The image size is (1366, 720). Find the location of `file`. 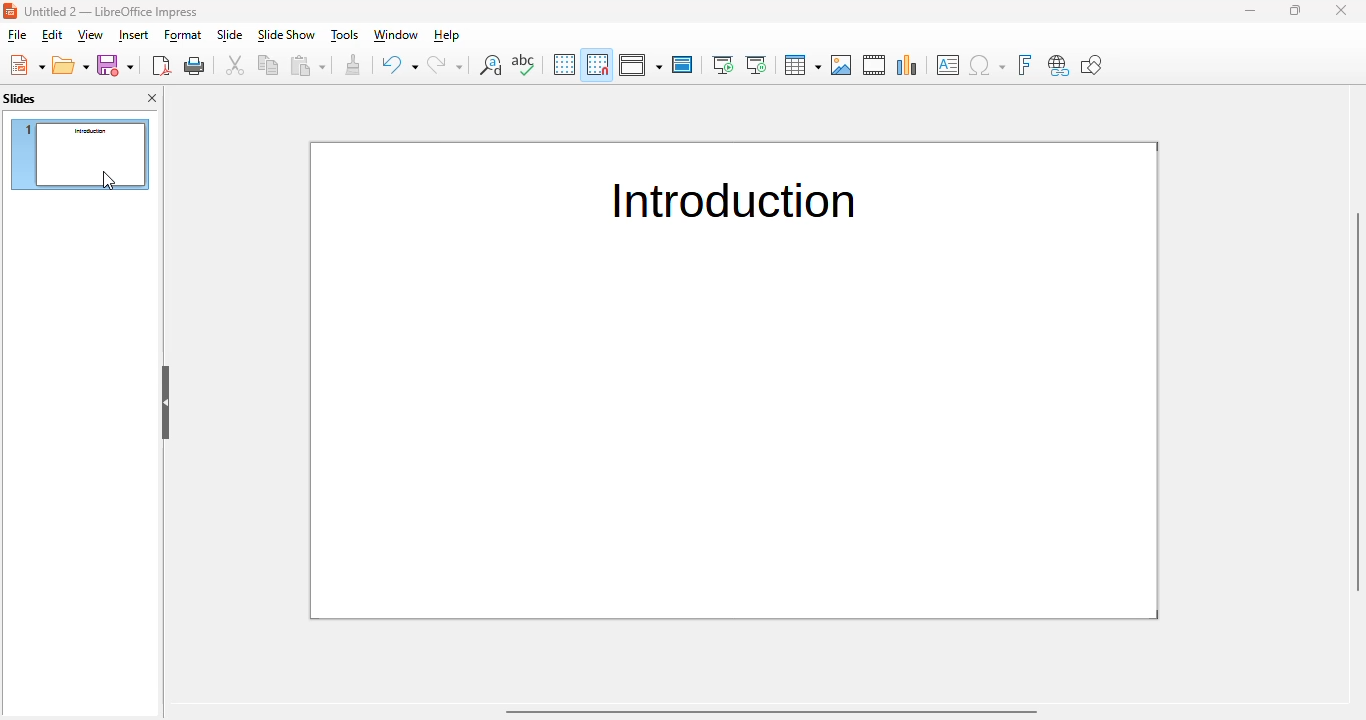

file is located at coordinates (16, 35).